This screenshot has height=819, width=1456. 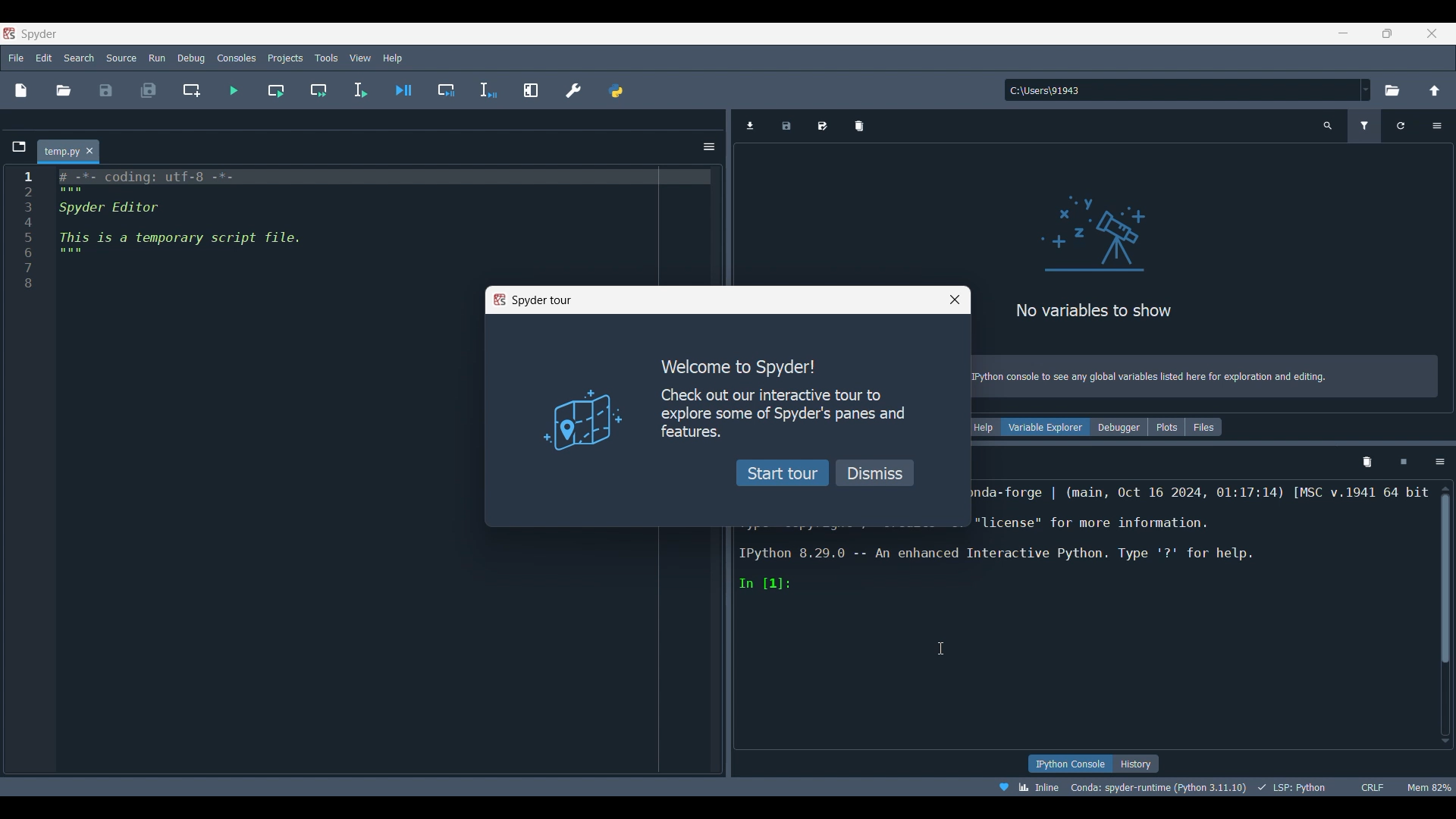 What do you see at coordinates (1070, 764) in the screenshot?
I see `IPython console` at bounding box center [1070, 764].